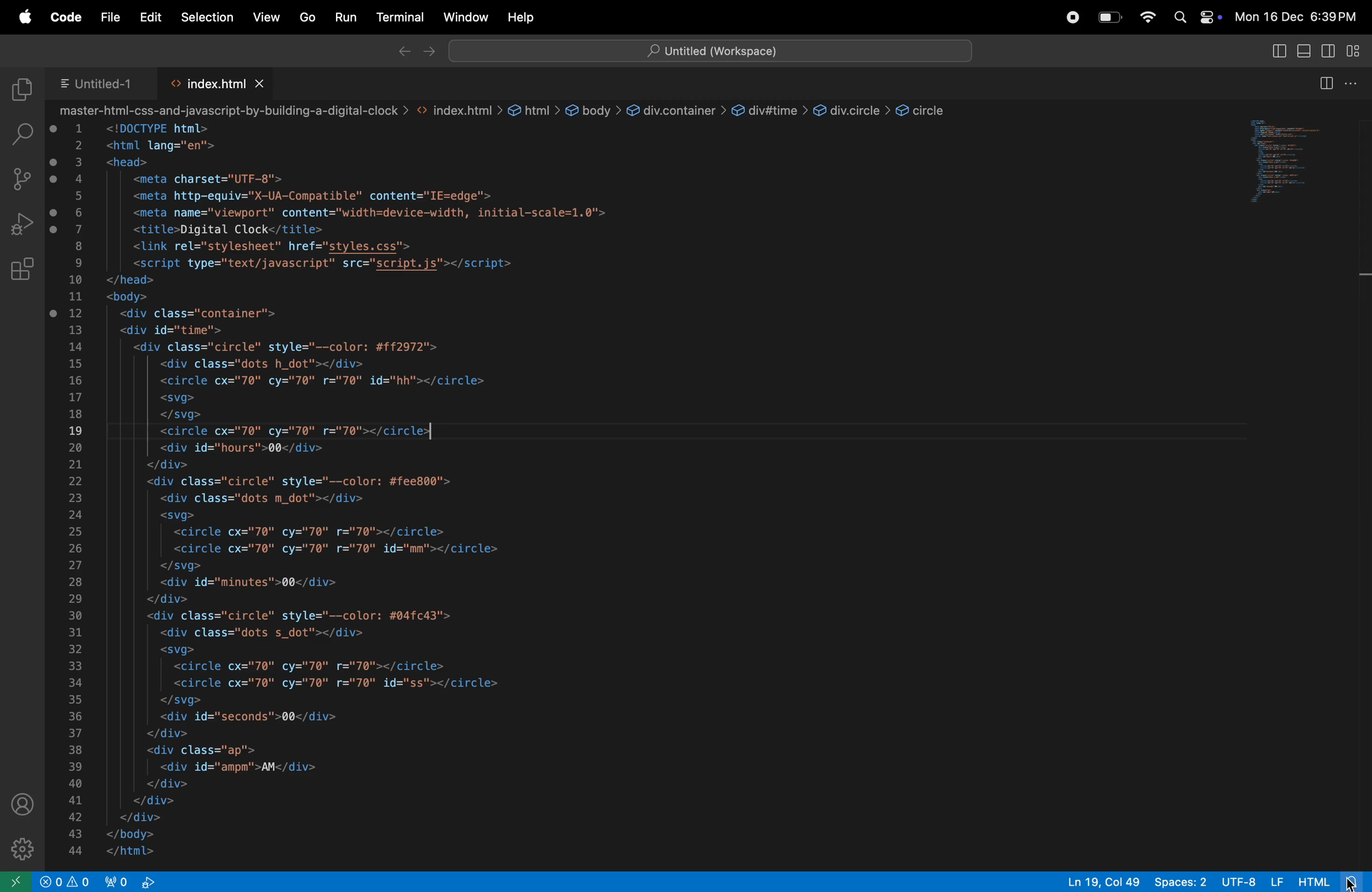 This screenshot has height=892, width=1372. What do you see at coordinates (514, 483) in the screenshot?
I see `code block which describes about from page of a web page wrote n html` at bounding box center [514, 483].